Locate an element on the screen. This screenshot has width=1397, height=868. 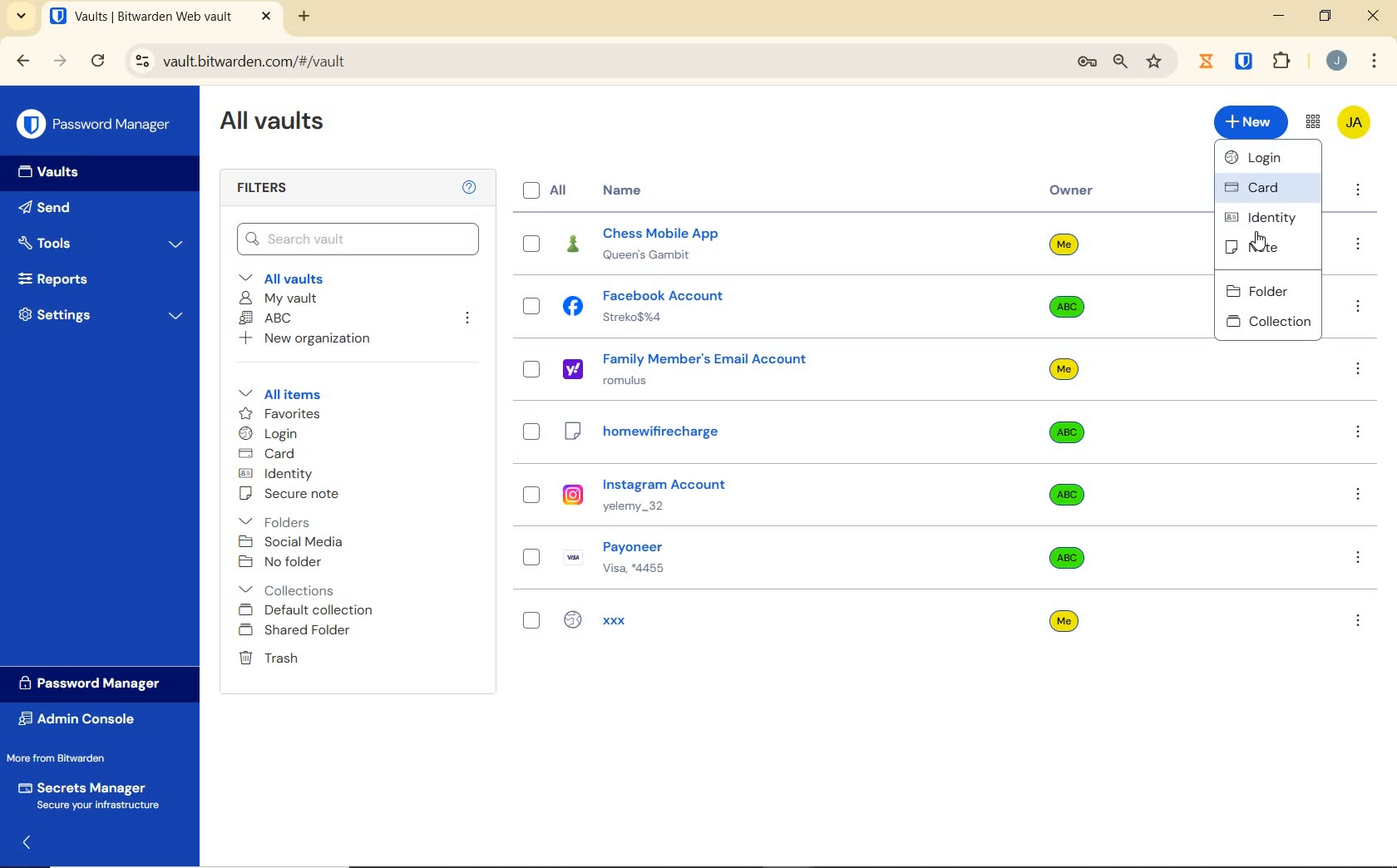
manage passwords is located at coordinates (1087, 63).